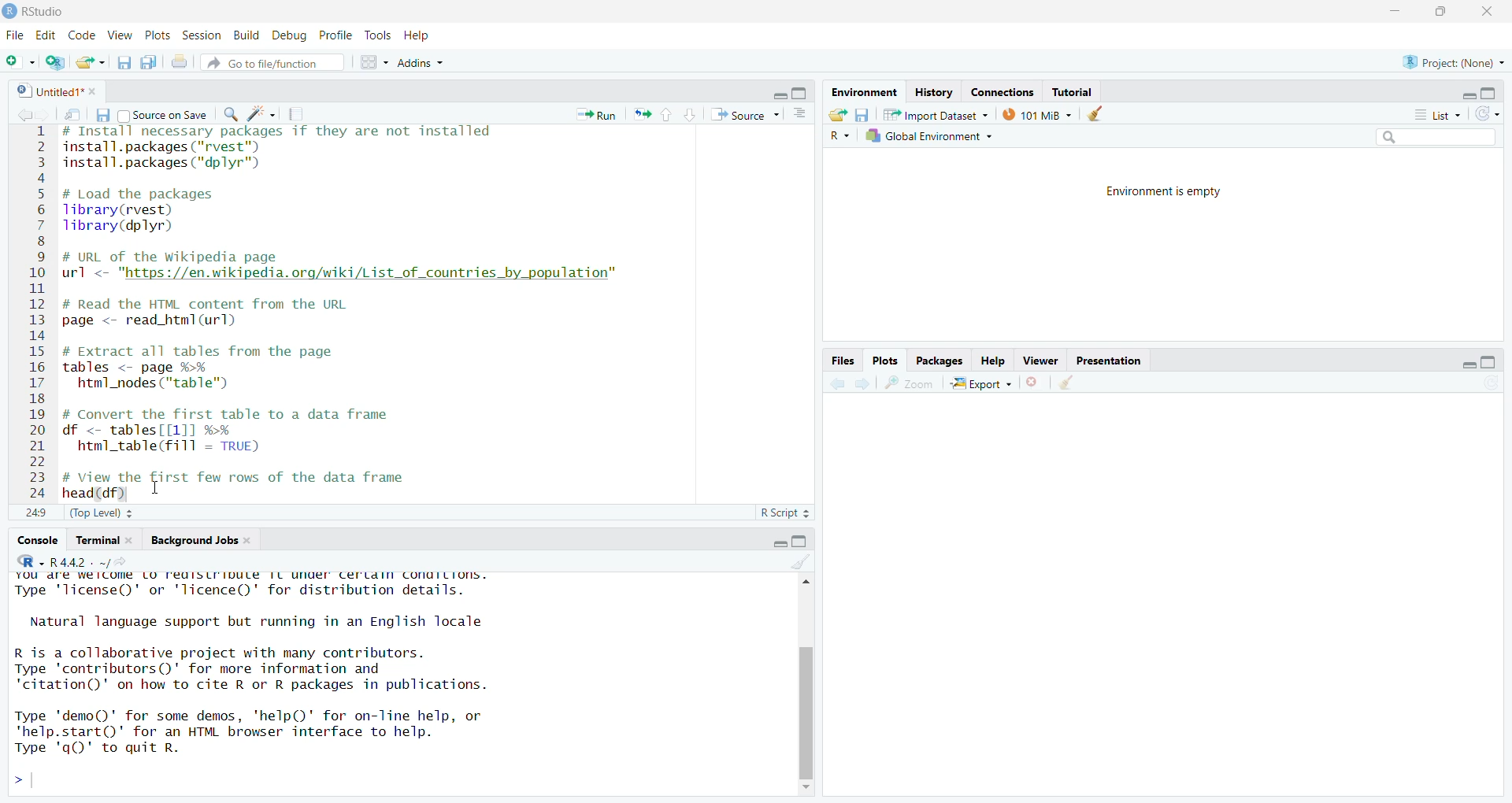 Image resolution: width=1512 pixels, height=803 pixels. What do you see at coordinates (134, 540) in the screenshot?
I see `close` at bounding box center [134, 540].